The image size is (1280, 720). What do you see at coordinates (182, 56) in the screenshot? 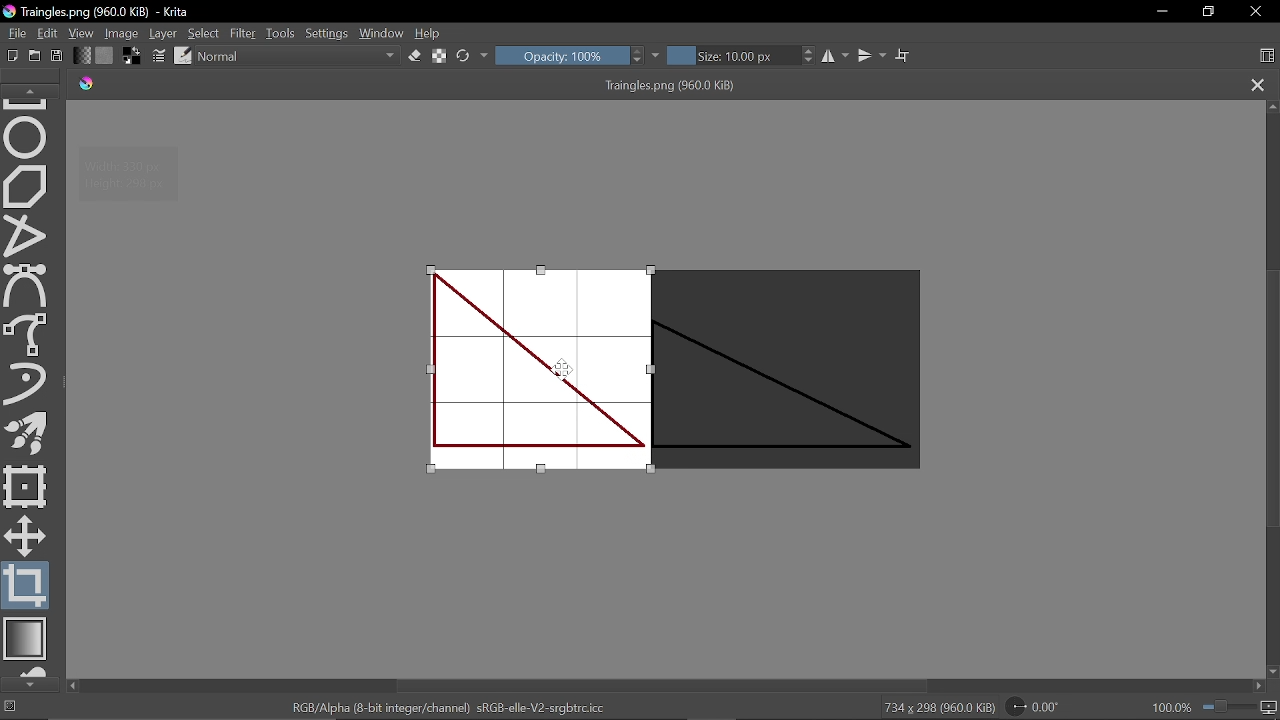
I see `Choose brush preset` at bounding box center [182, 56].